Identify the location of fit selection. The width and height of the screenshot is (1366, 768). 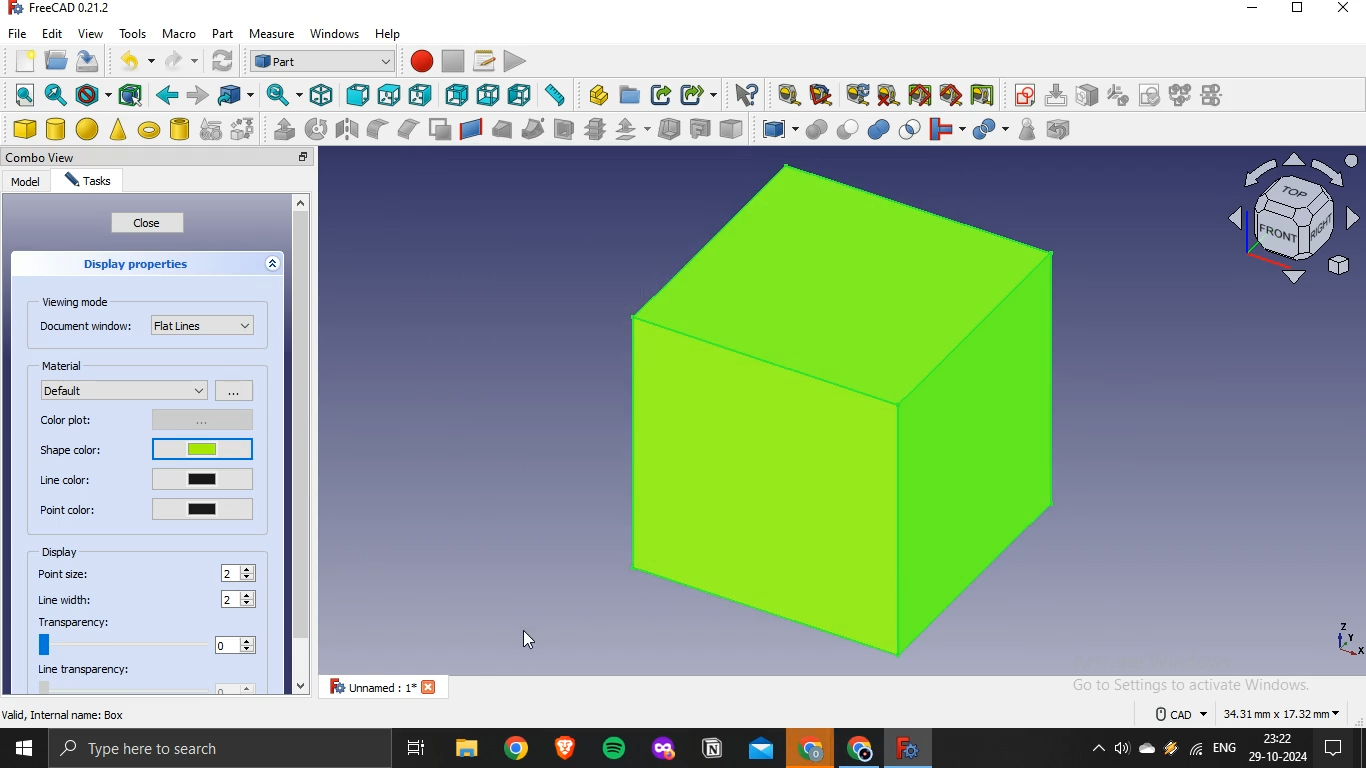
(55, 95).